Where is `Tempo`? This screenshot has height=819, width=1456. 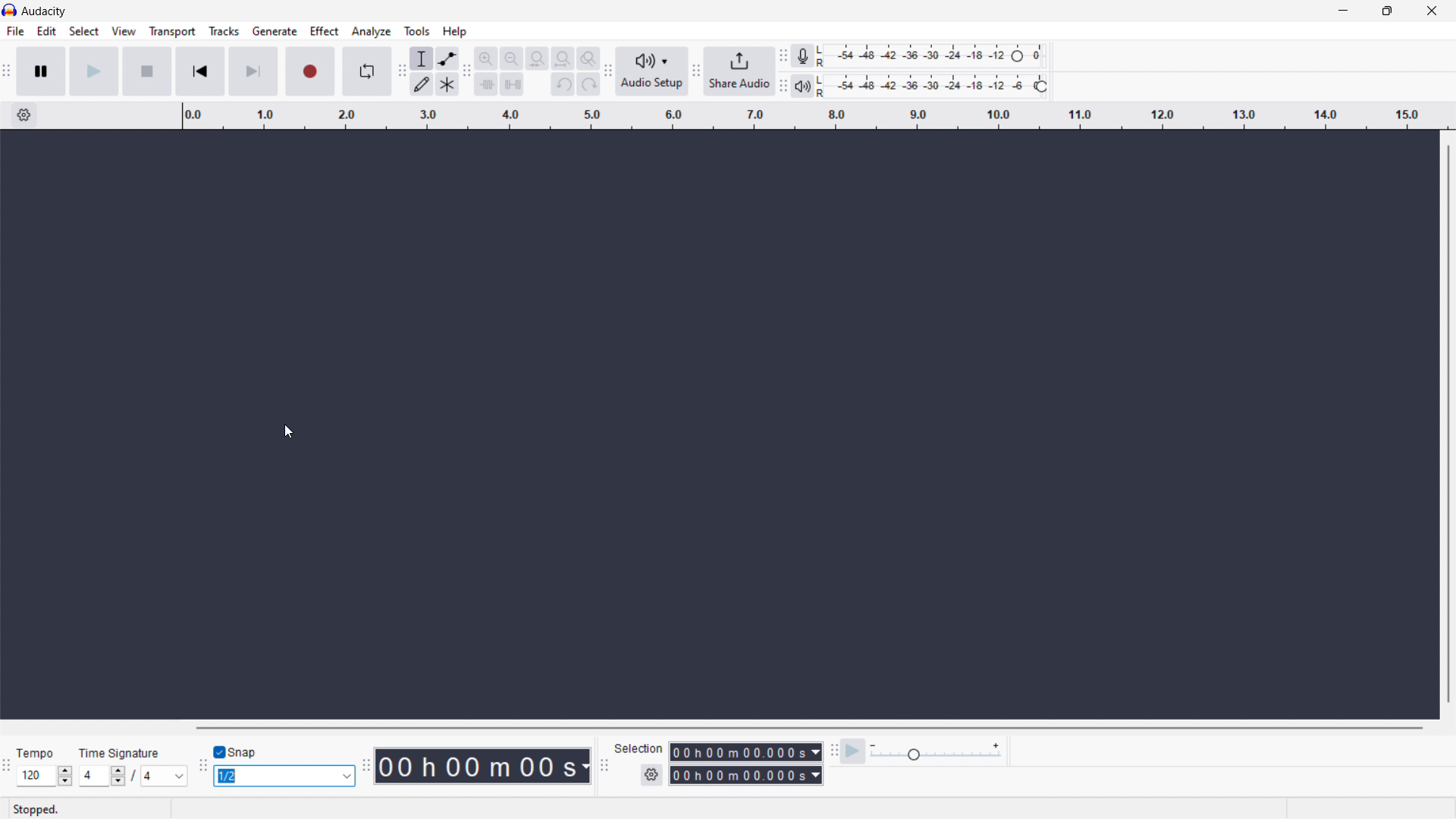
Tempo is located at coordinates (39, 755).